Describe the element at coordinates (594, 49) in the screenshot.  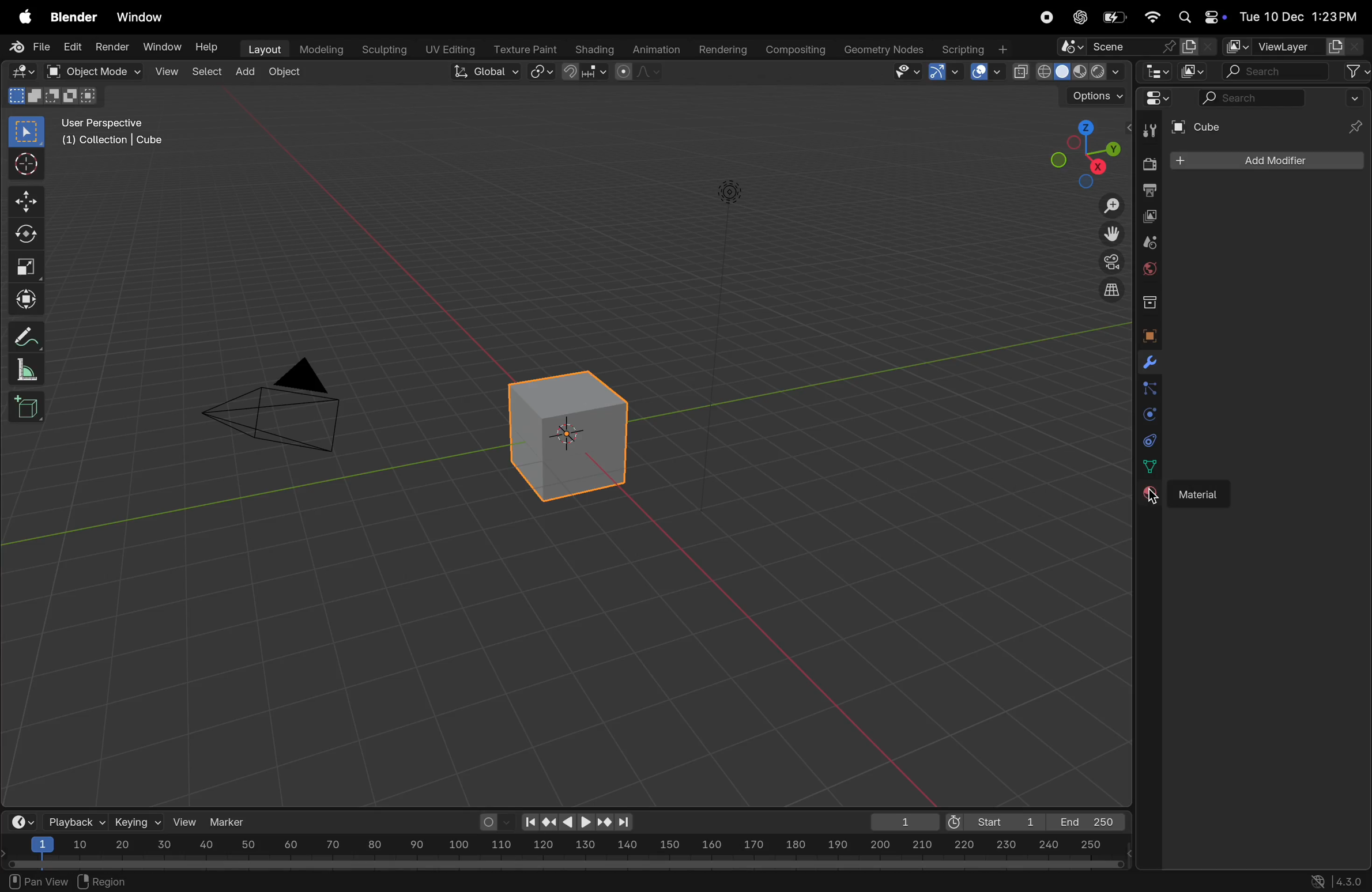
I see `Shading` at that location.